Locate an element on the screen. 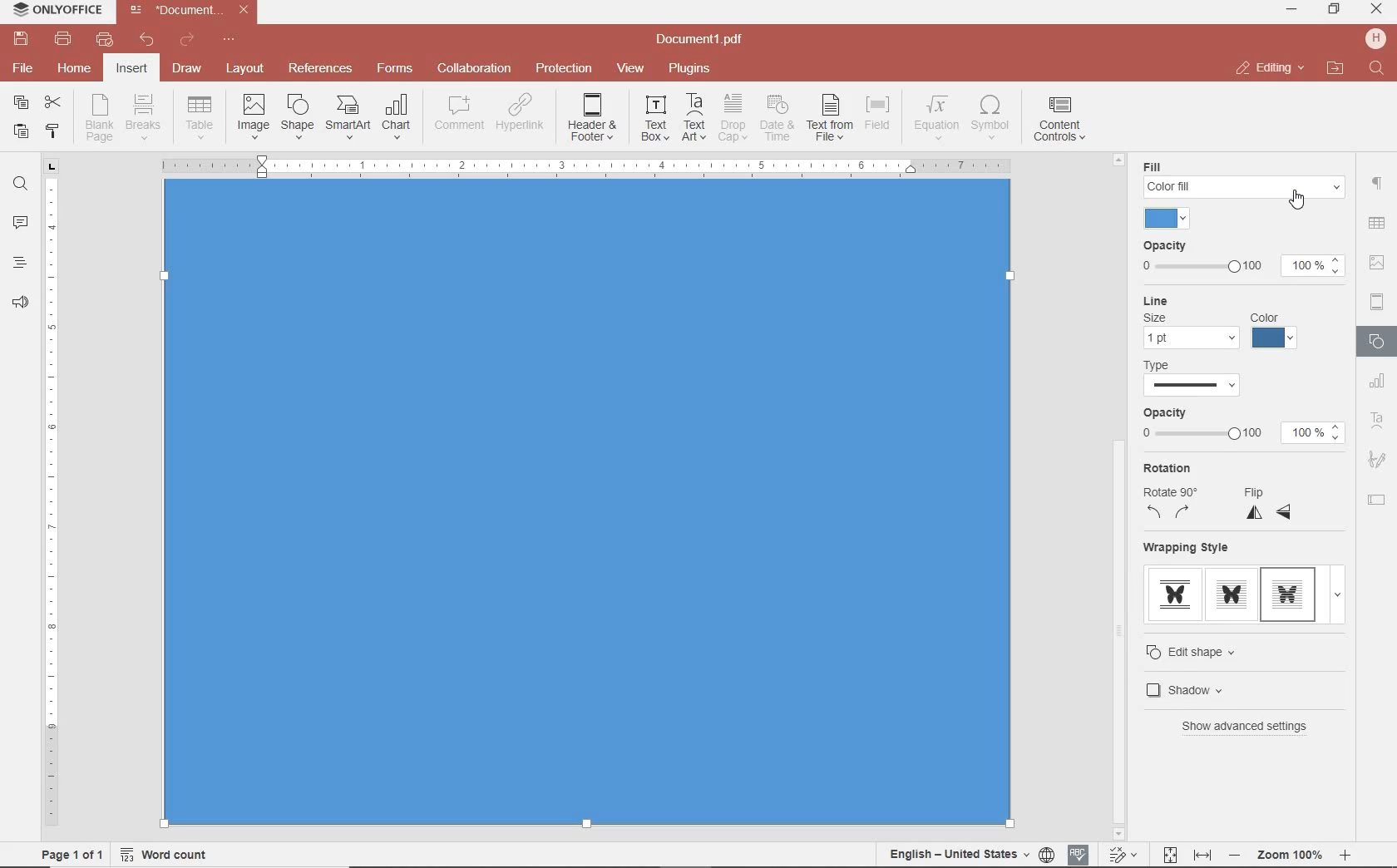 This screenshot has height=868, width=1397. paste is located at coordinates (19, 131).